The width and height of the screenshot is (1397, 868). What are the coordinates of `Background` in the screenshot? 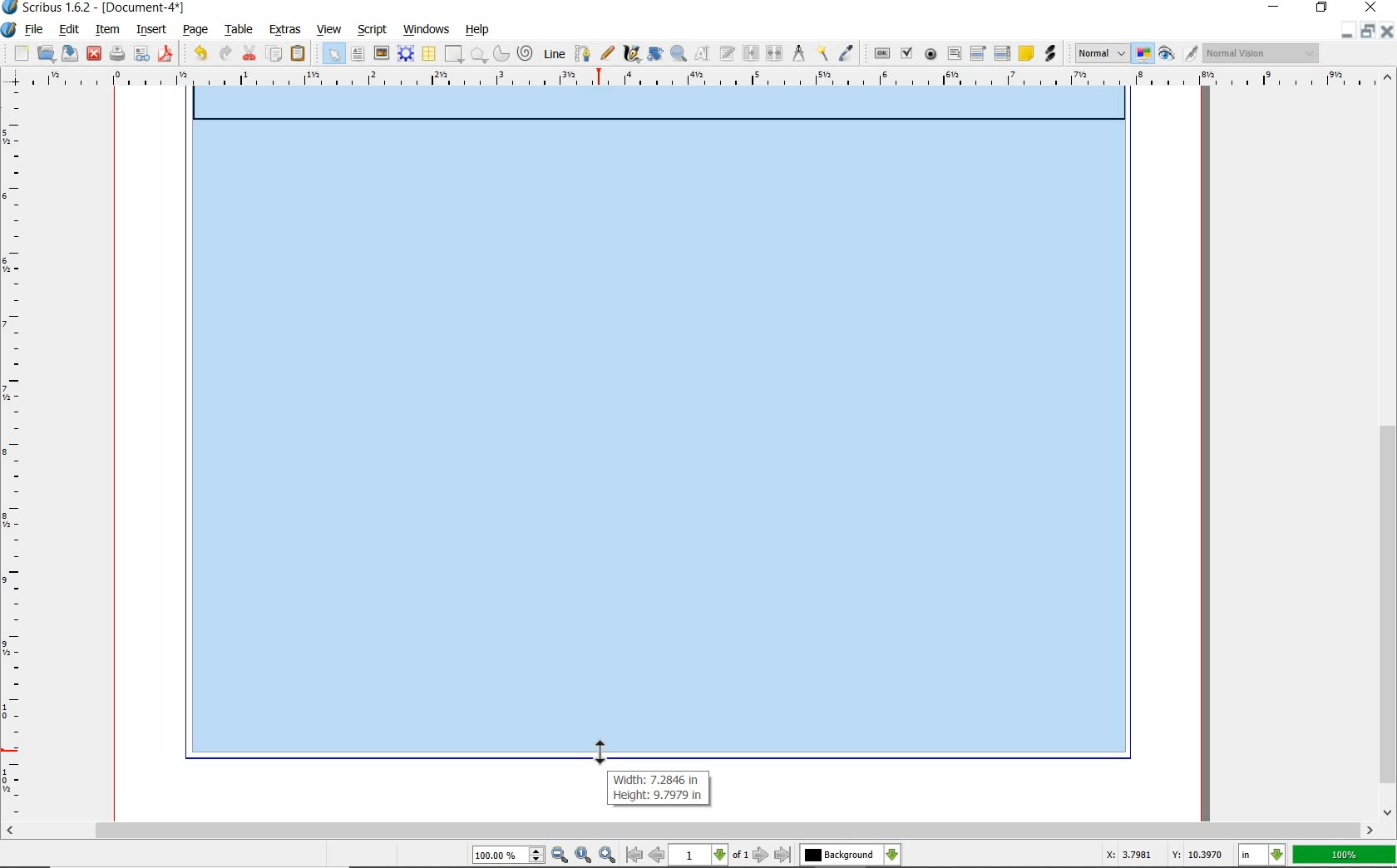 It's located at (851, 856).